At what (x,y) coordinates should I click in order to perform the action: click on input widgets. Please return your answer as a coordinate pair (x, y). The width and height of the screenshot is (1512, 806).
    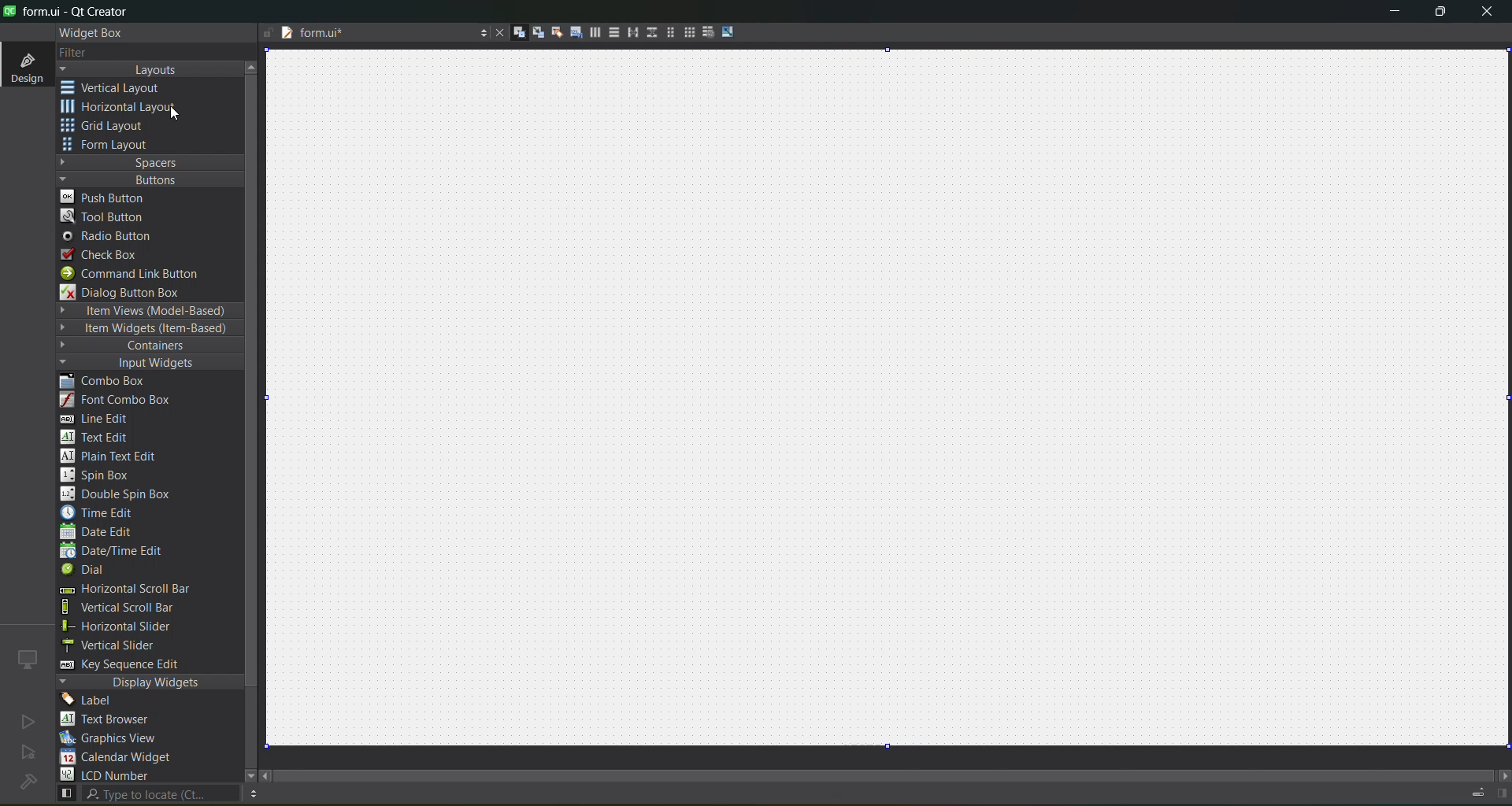
    Looking at the image, I should click on (142, 364).